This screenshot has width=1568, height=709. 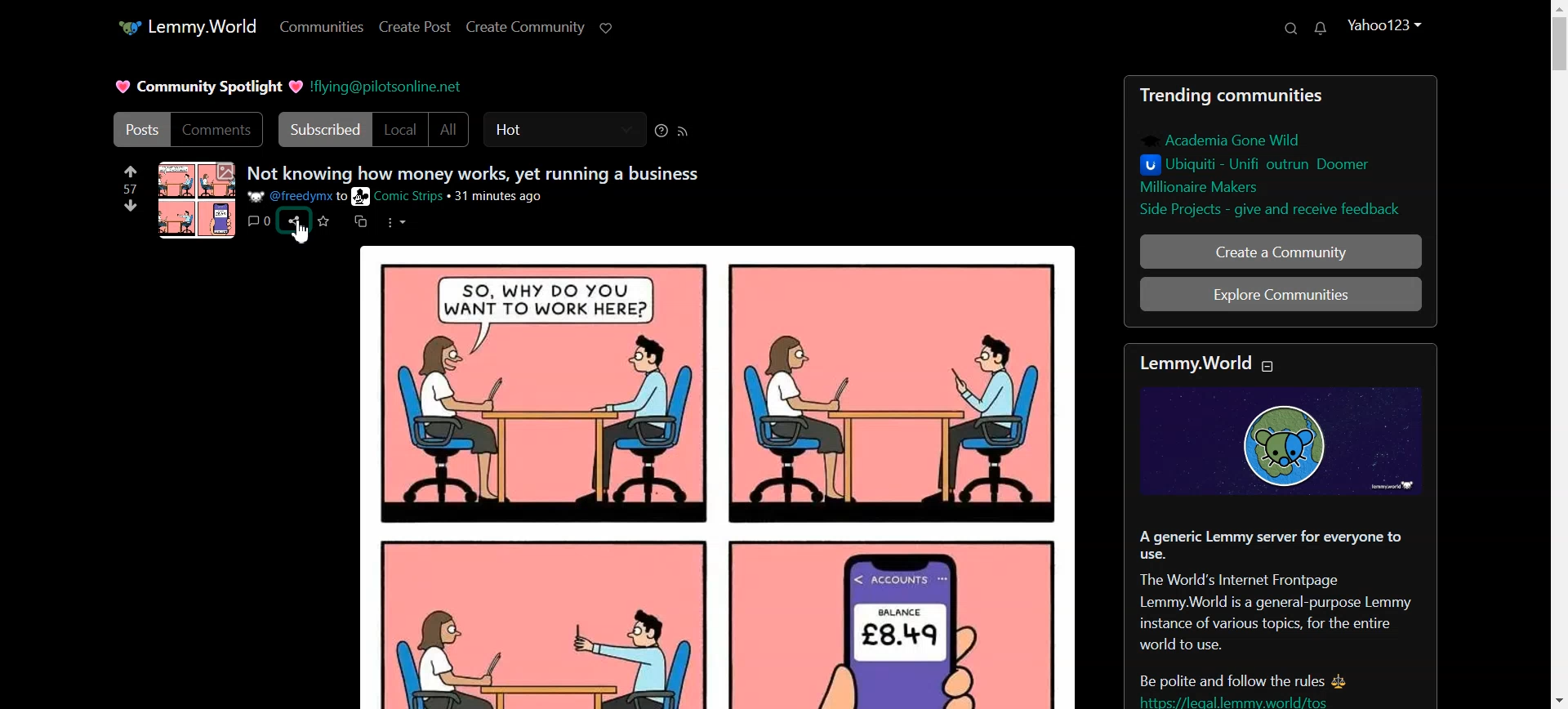 I want to click on Create a Community, so click(x=1281, y=251).